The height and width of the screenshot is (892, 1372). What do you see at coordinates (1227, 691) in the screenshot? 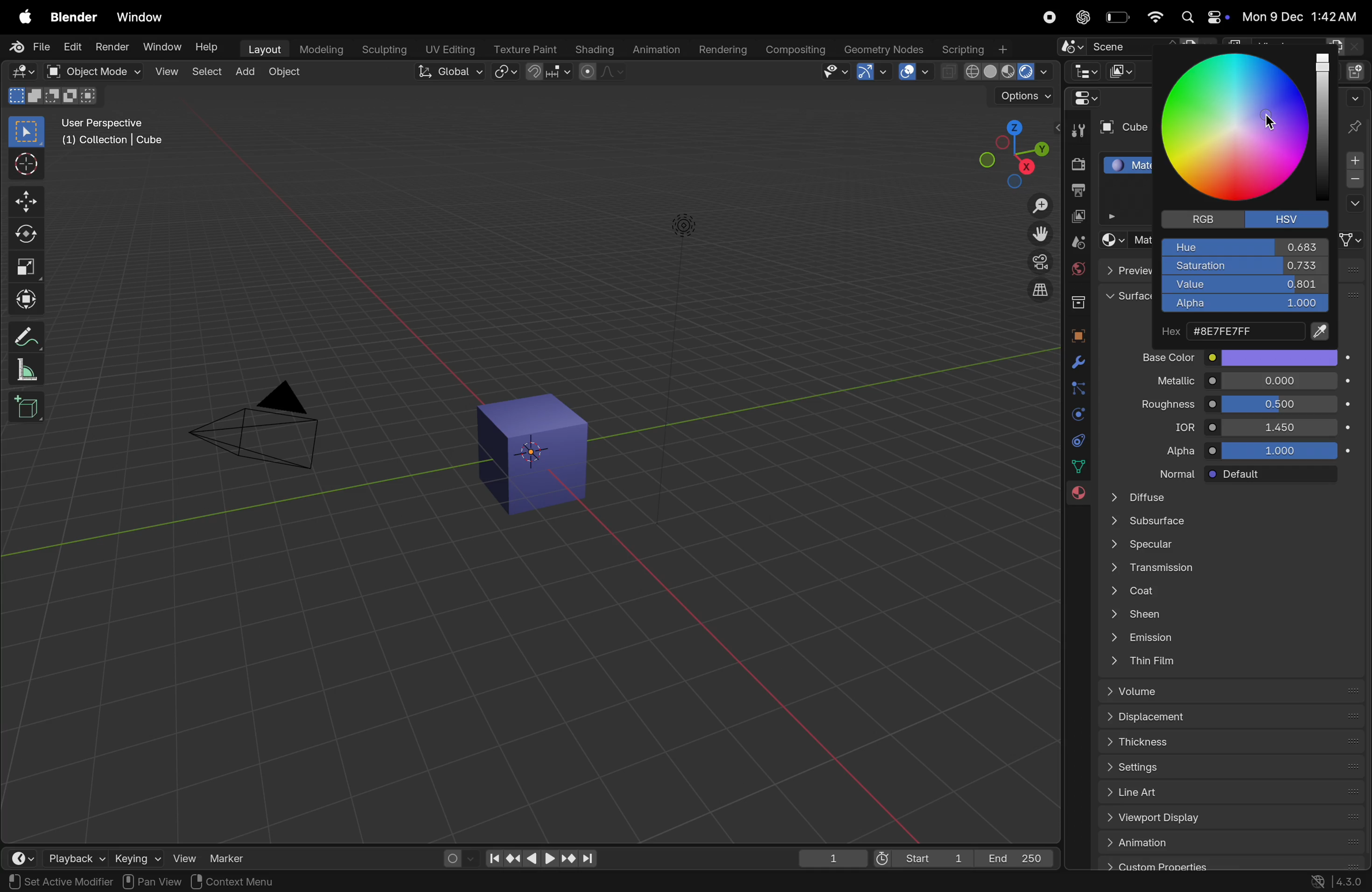
I see `volume` at bounding box center [1227, 691].